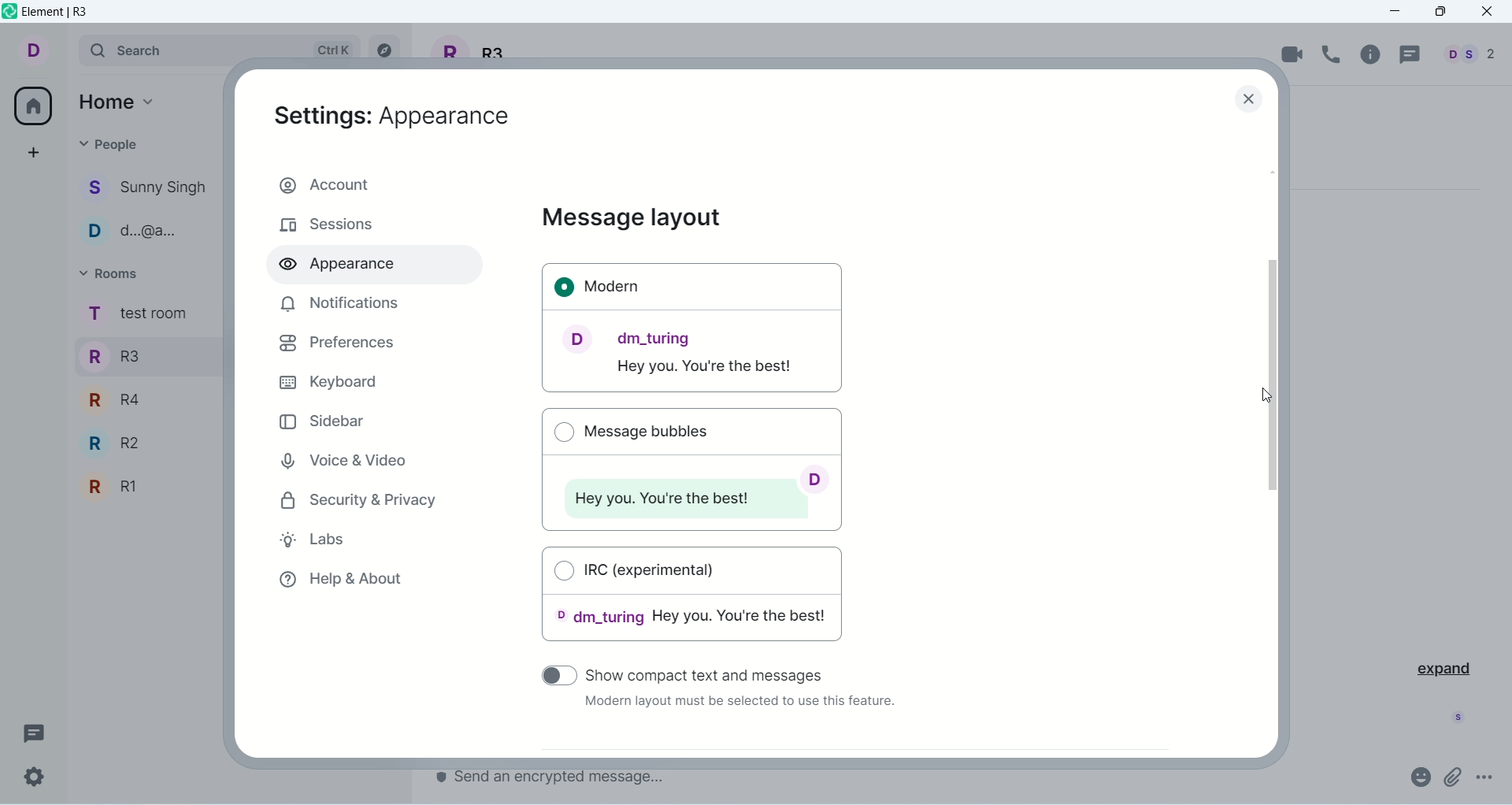 This screenshot has width=1512, height=805. What do you see at coordinates (344, 267) in the screenshot?
I see `appearance` at bounding box center [344, 267].